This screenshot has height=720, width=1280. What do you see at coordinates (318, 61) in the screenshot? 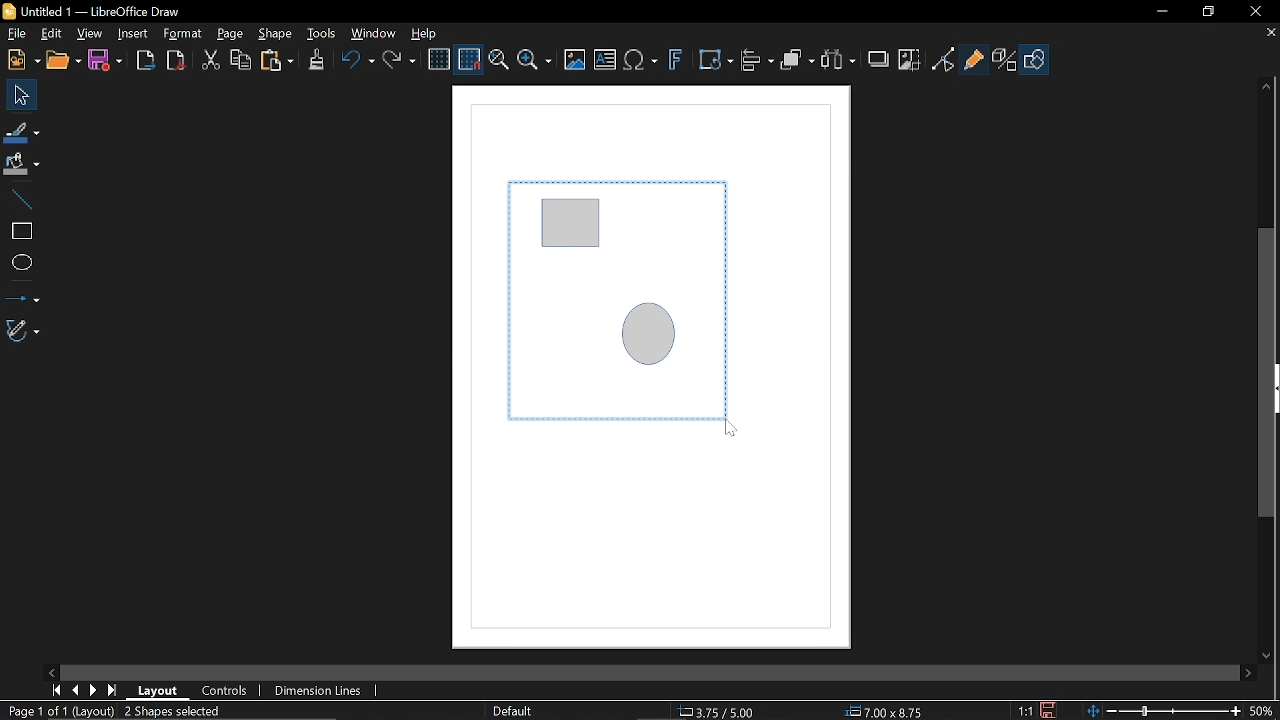
I see `Clone` at bounding box center [318, 61].